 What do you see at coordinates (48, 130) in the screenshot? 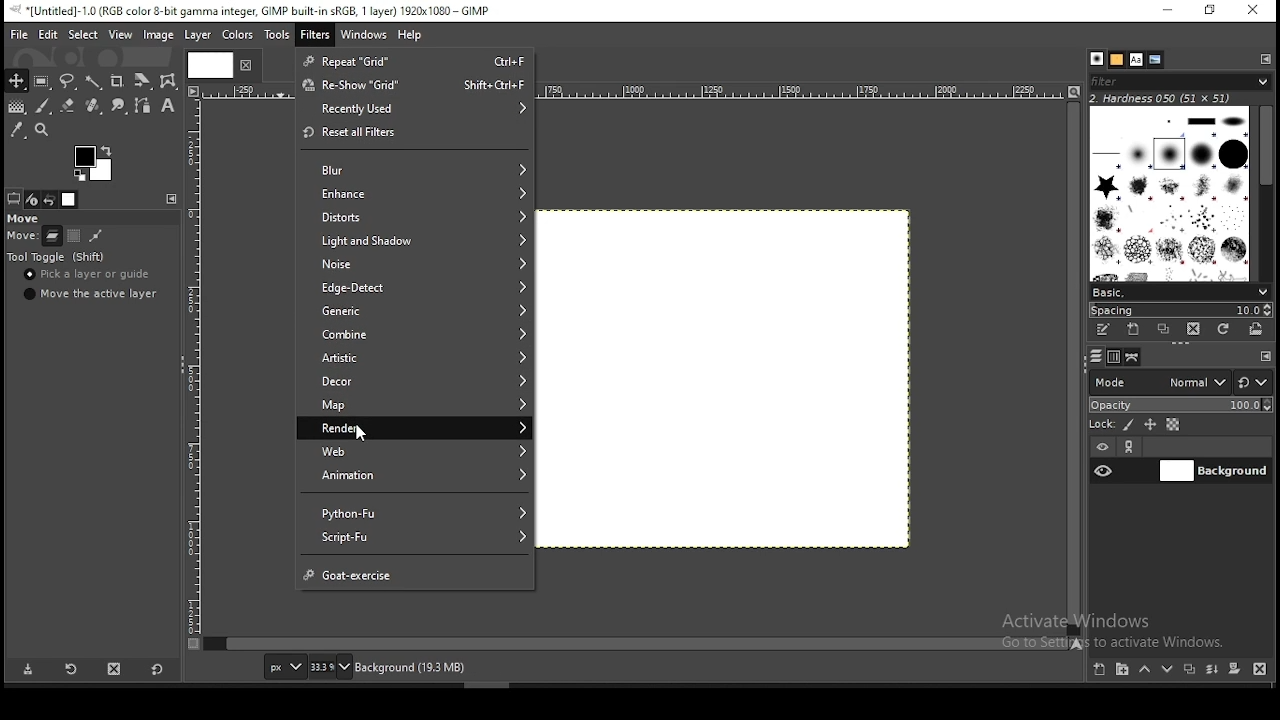
I see `zoom tool` at bounding box center [48, 130].